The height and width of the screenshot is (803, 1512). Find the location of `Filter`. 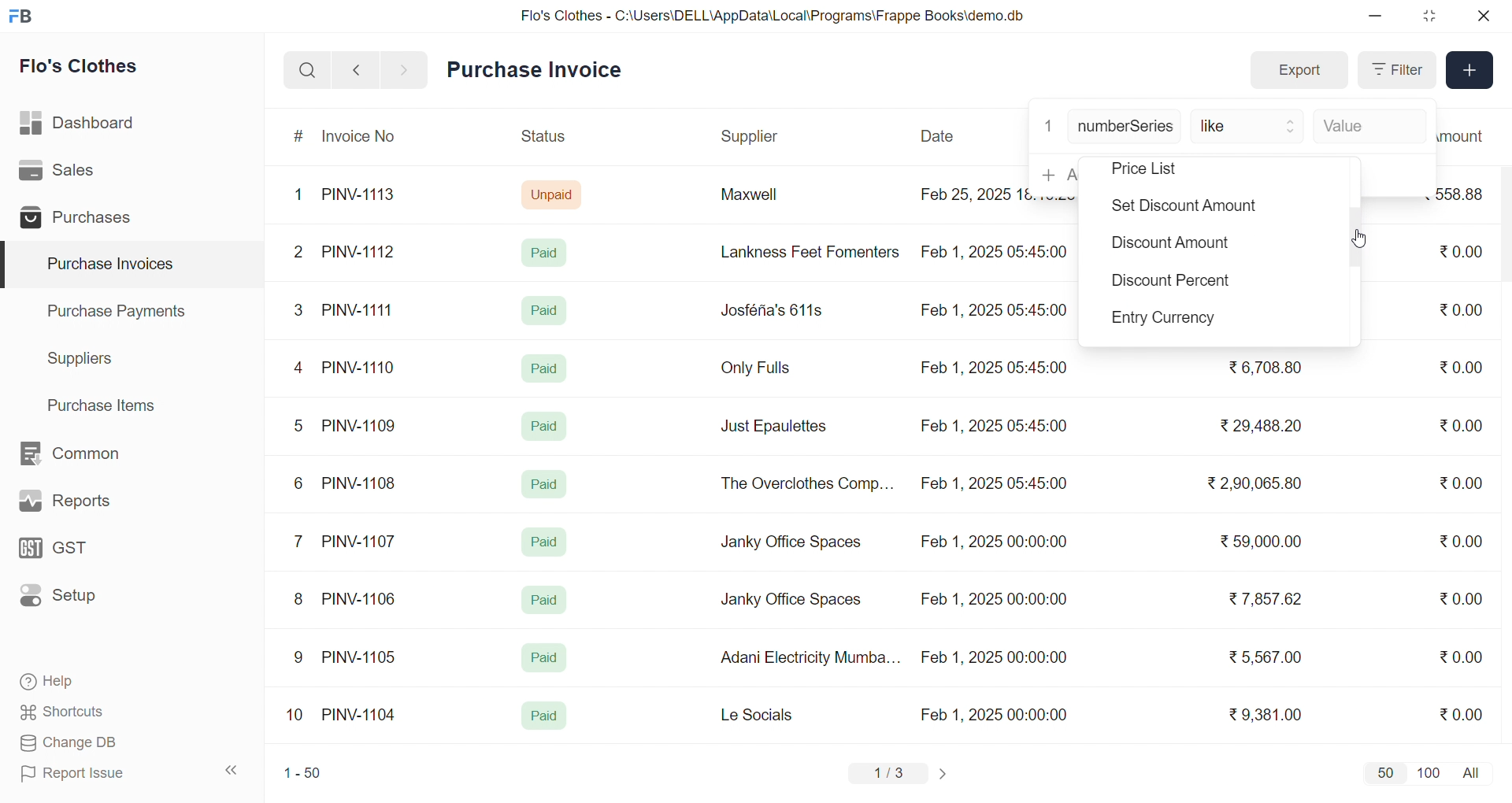

Filter is located at coordinates (1395, 70).